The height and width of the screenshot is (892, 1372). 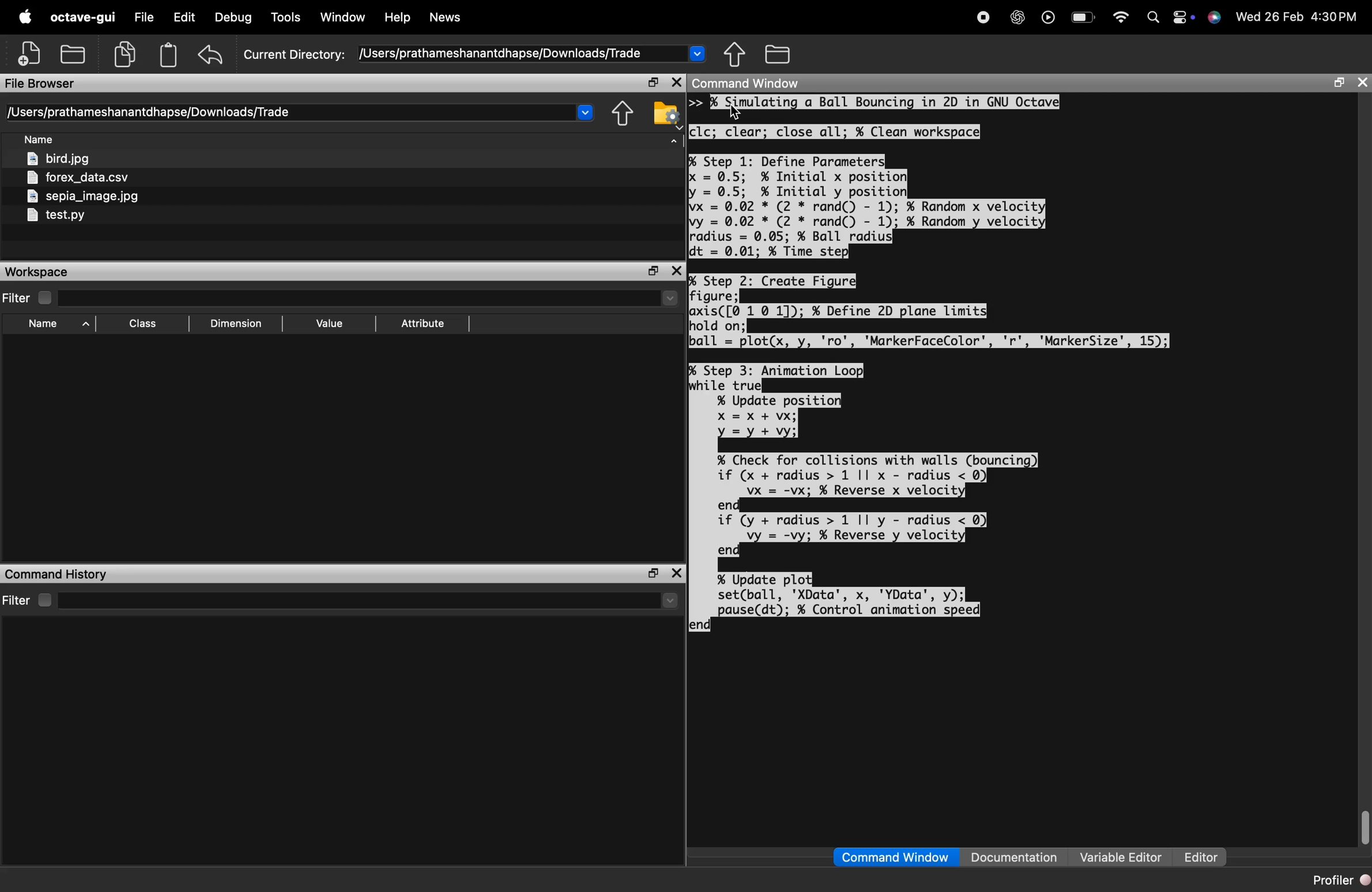 I want to click on copy, so click(x=126, y=54).